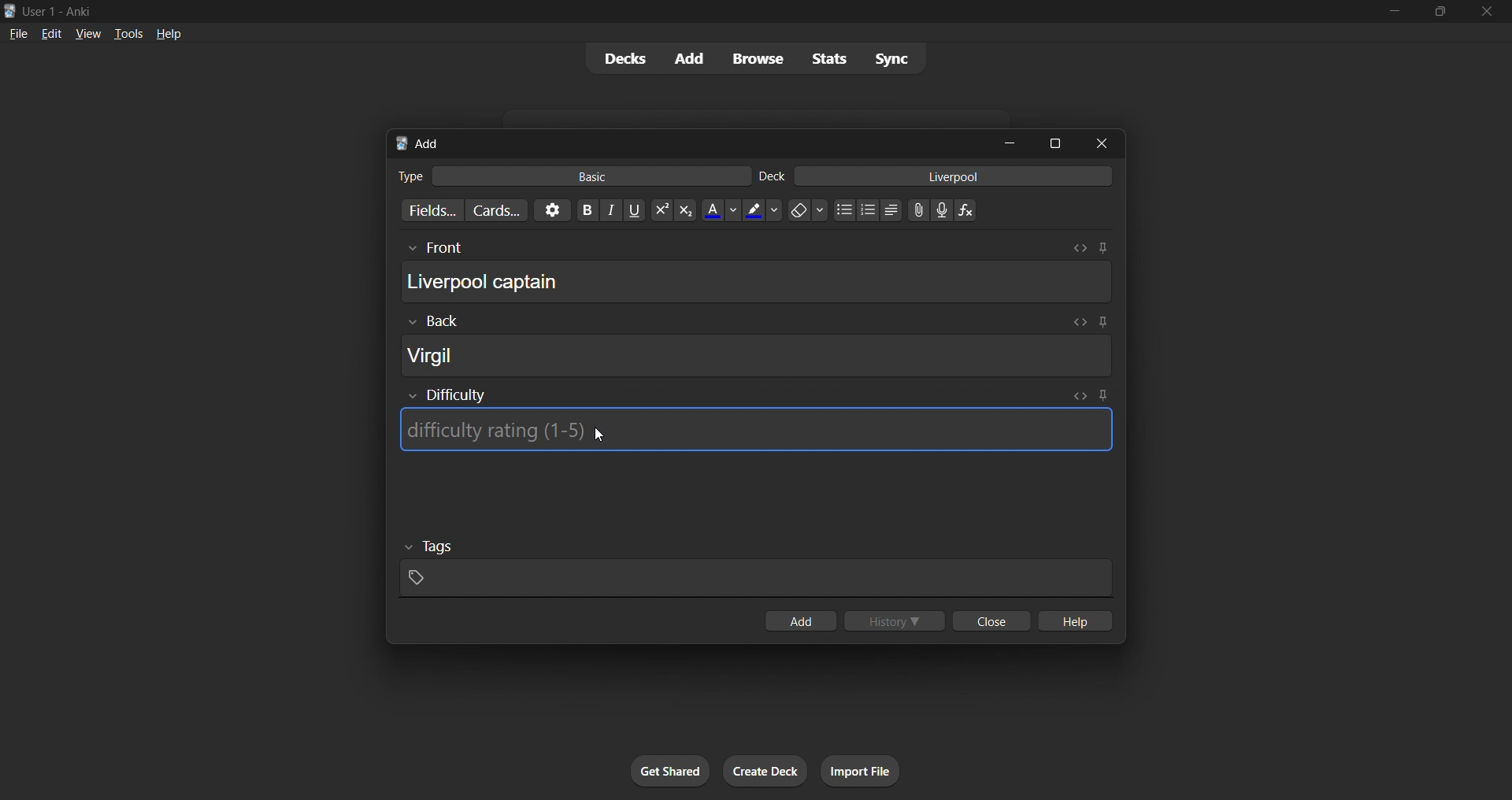 The image size is (1512, 800). I want to click on Ordered list, so click(868, 210).